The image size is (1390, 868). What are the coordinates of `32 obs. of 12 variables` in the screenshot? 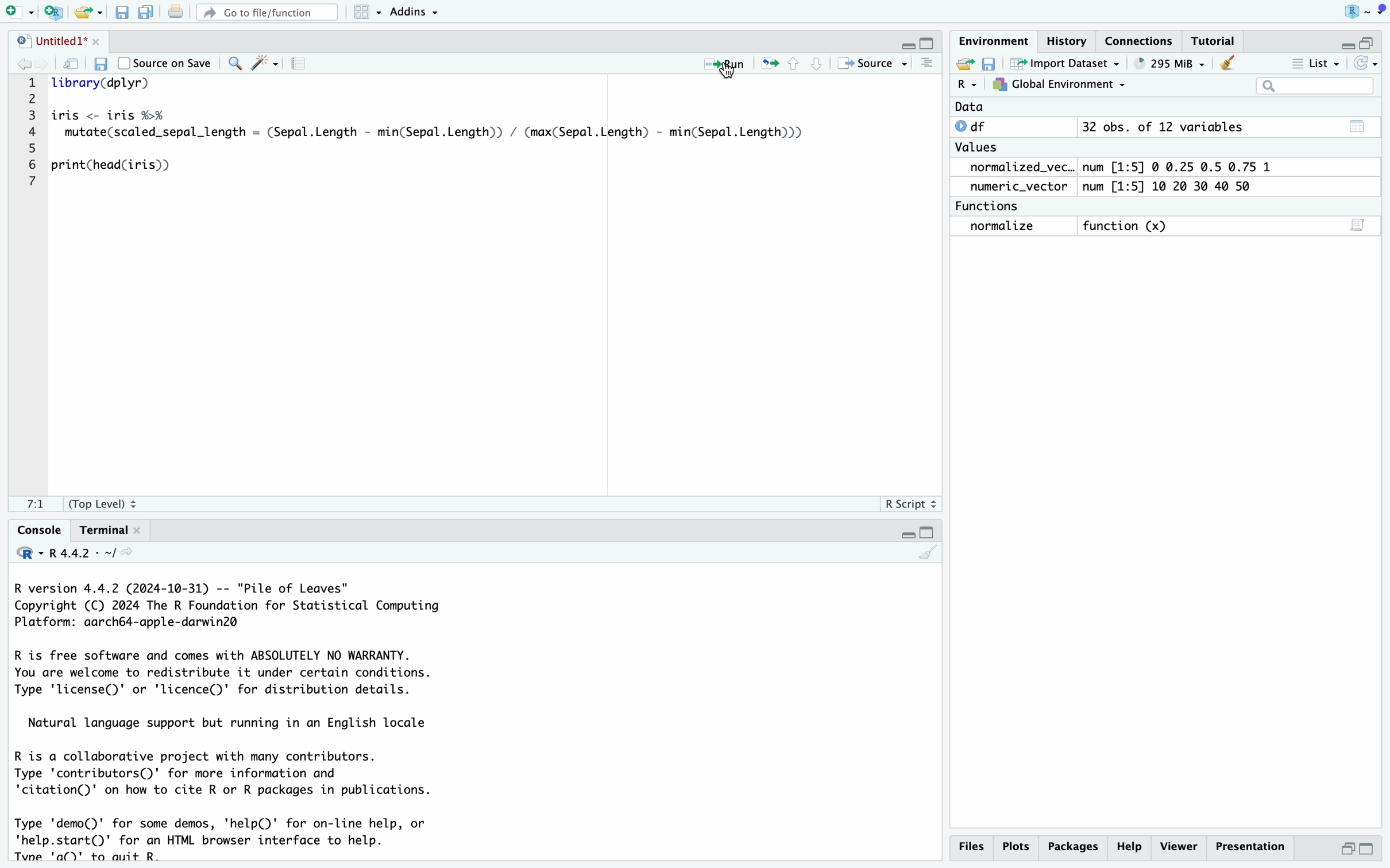 It's located at (1162, 128).